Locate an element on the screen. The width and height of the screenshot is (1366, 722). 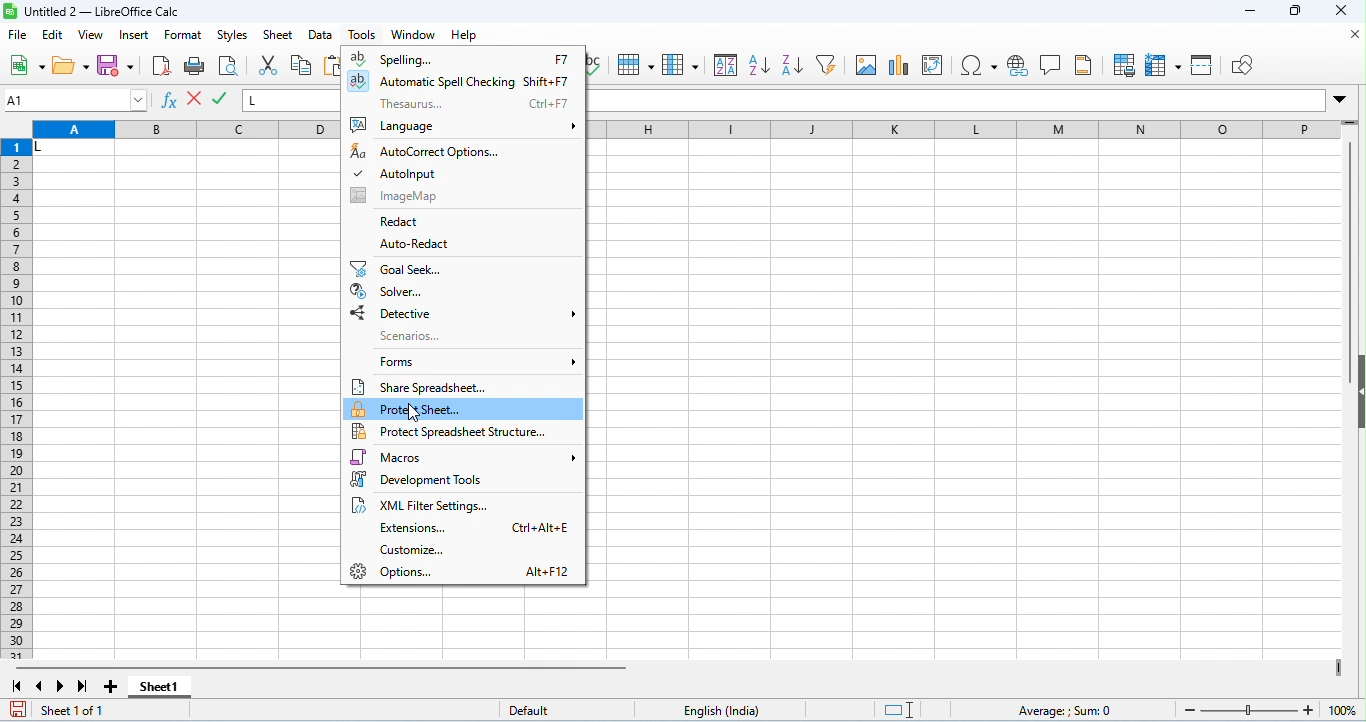
define print preview is located at coordinates (1126, 65).